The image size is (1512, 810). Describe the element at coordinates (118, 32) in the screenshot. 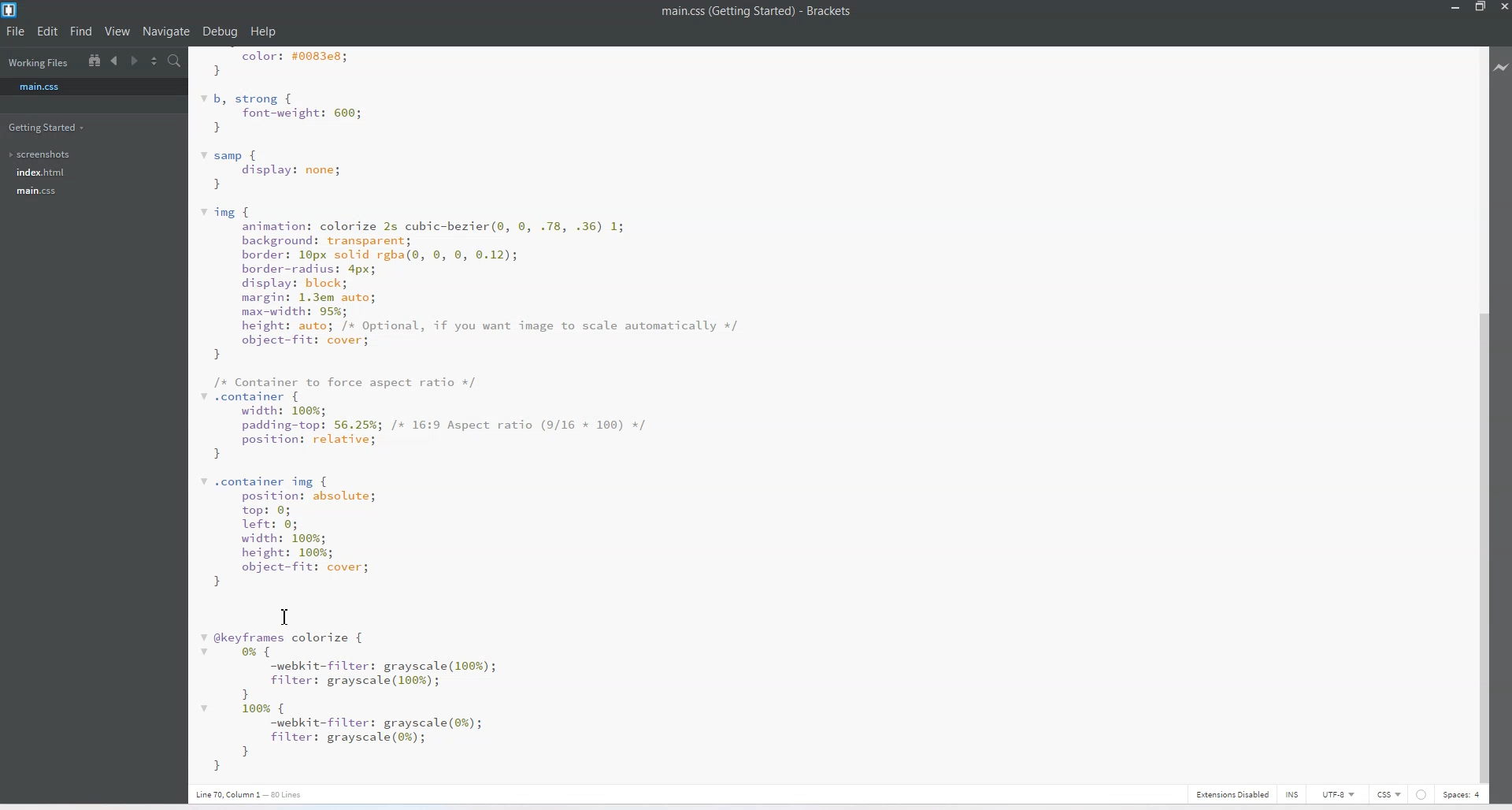

I see `View` at that location.